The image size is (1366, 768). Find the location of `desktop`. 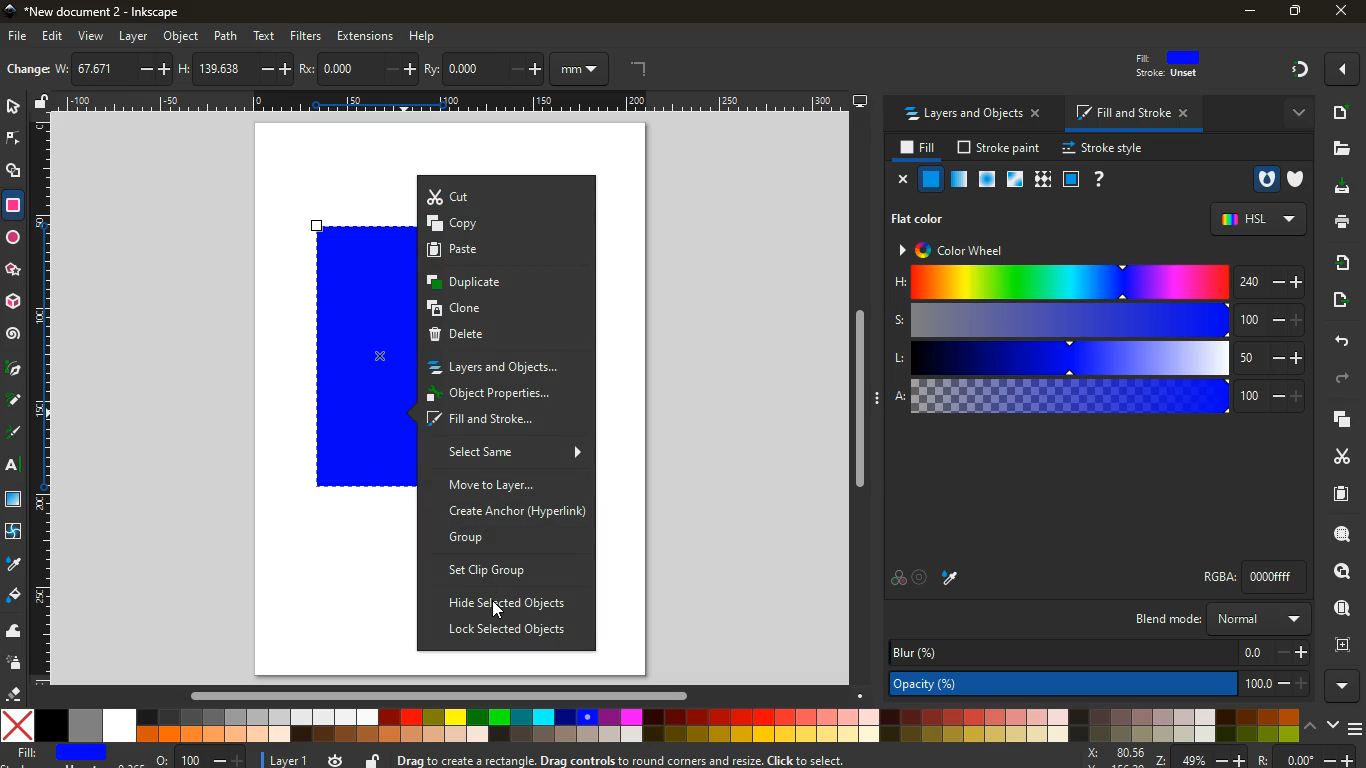

desktop is located at coordinates (860, 101).